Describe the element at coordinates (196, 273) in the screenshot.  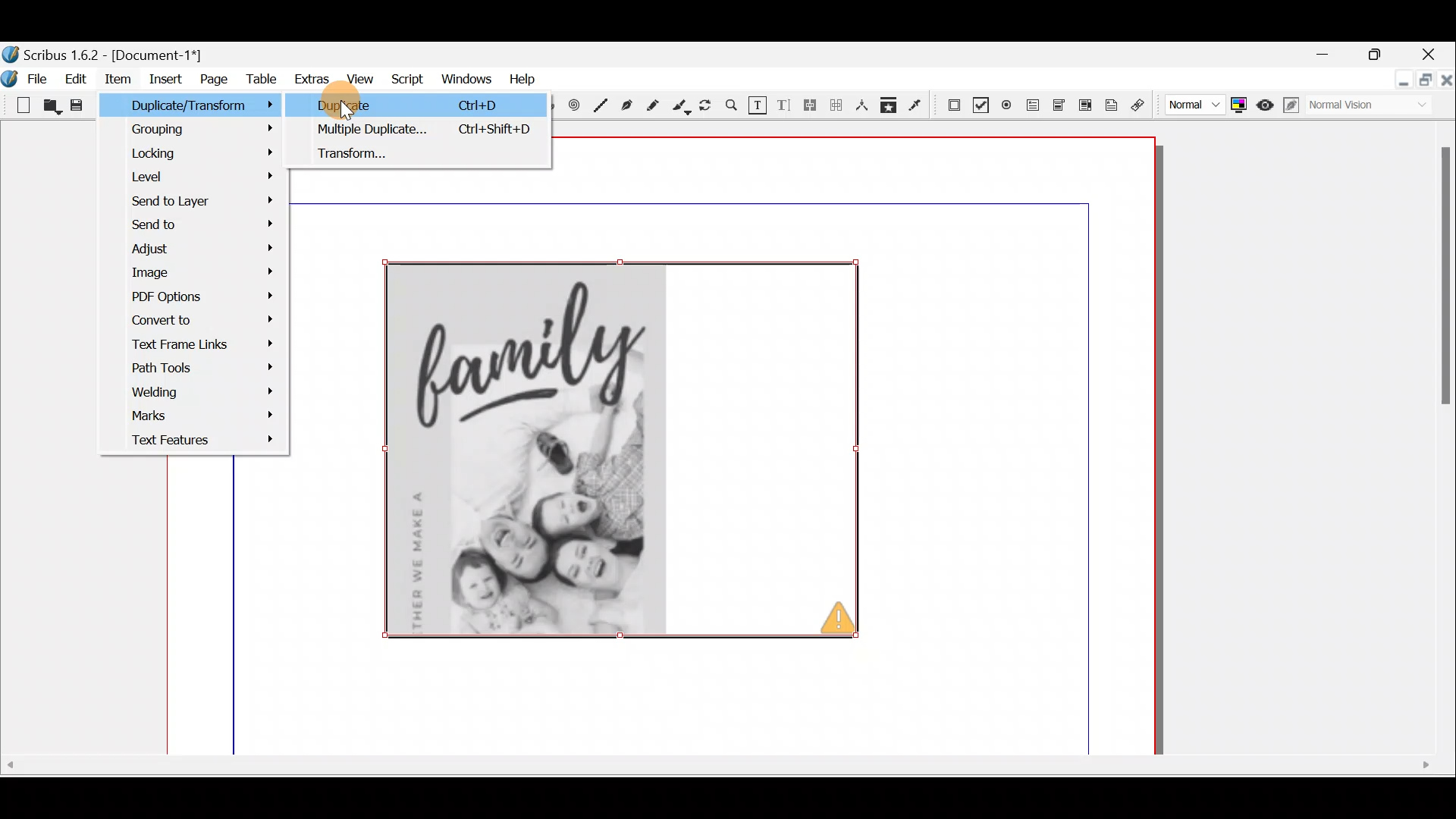
I see `Image` at that location.